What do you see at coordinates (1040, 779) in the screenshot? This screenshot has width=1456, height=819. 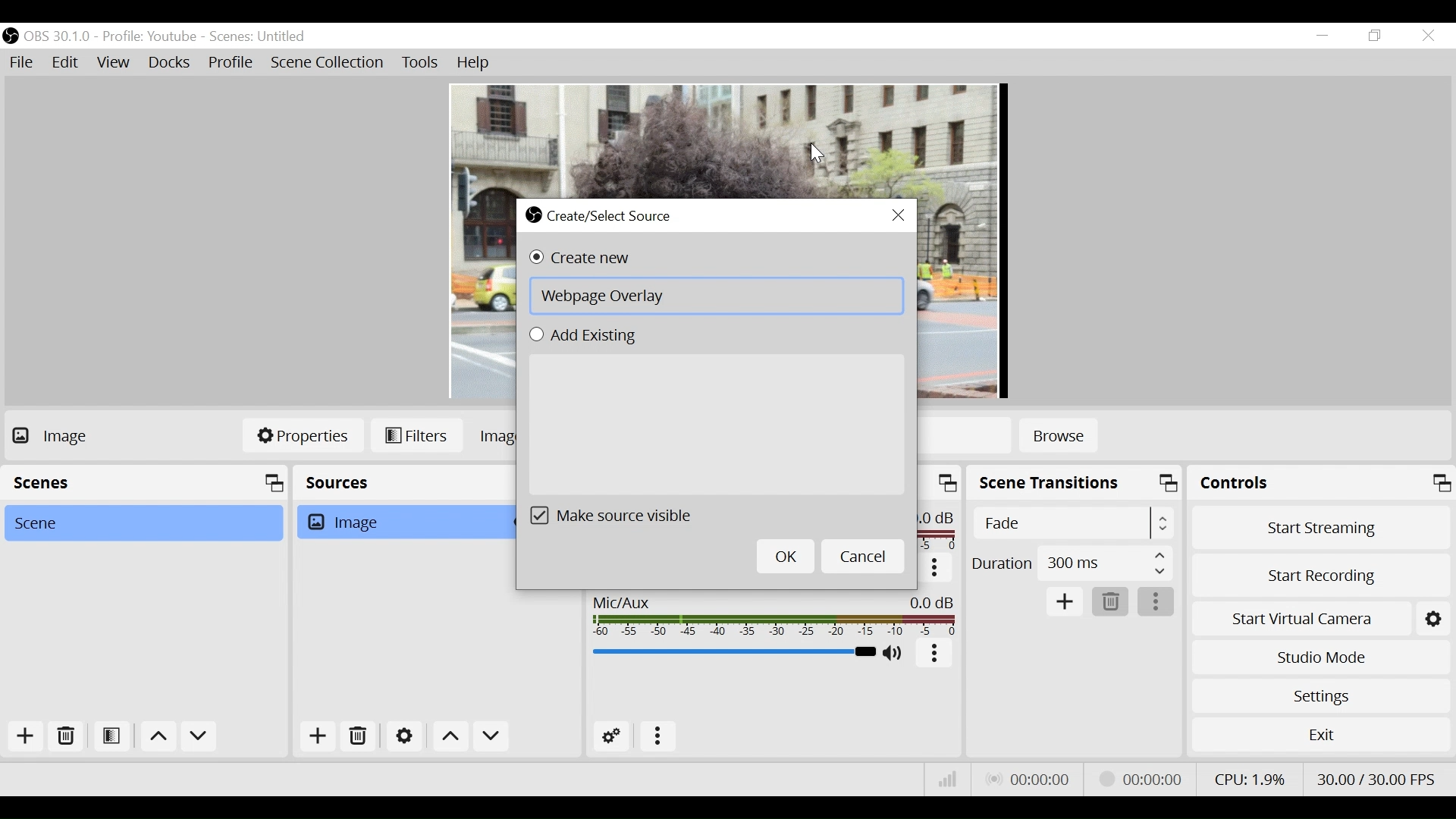 I see `Live Status` at bounding box center [1040, 779].